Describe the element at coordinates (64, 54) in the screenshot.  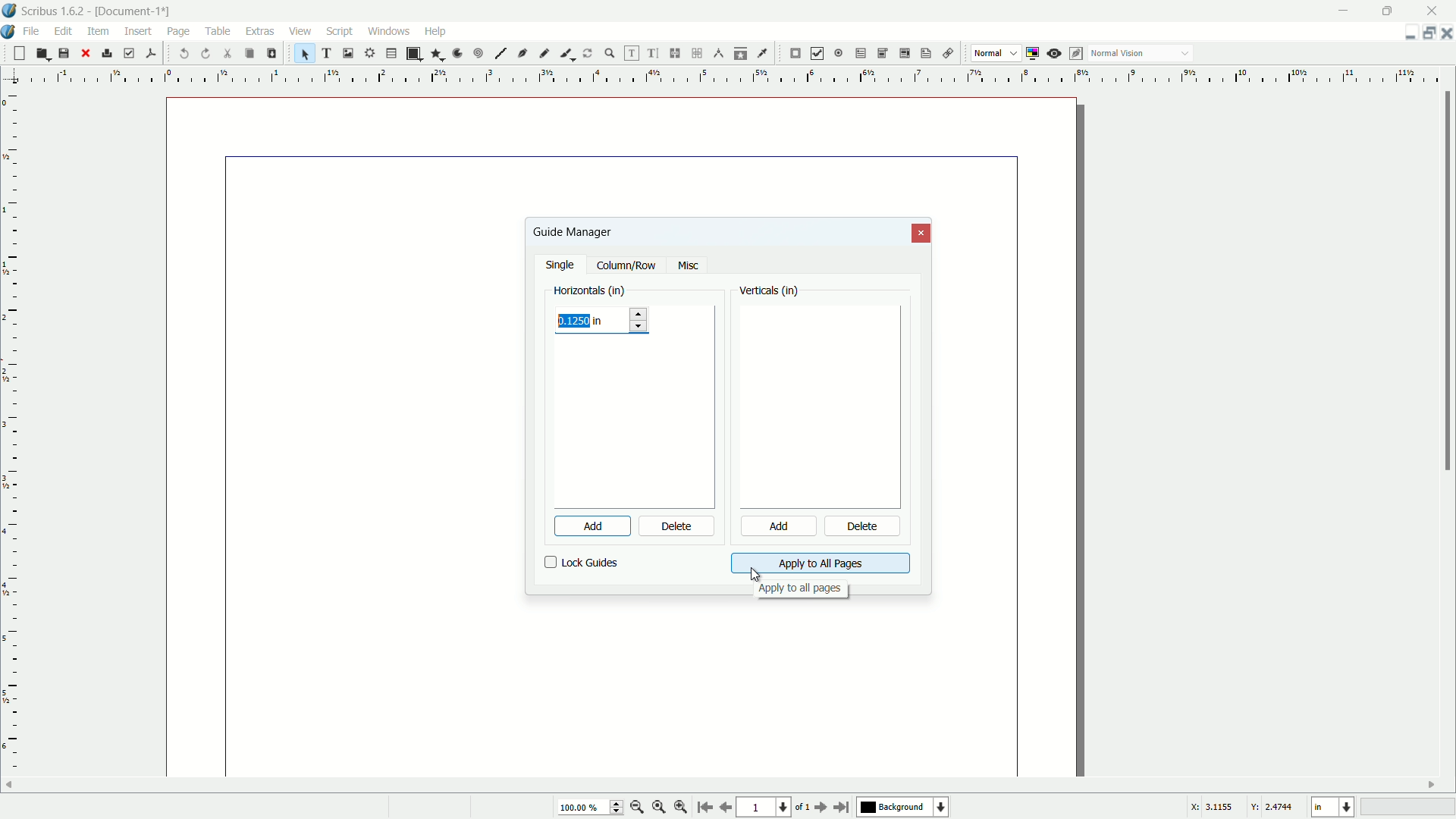
I see `save` at that location.